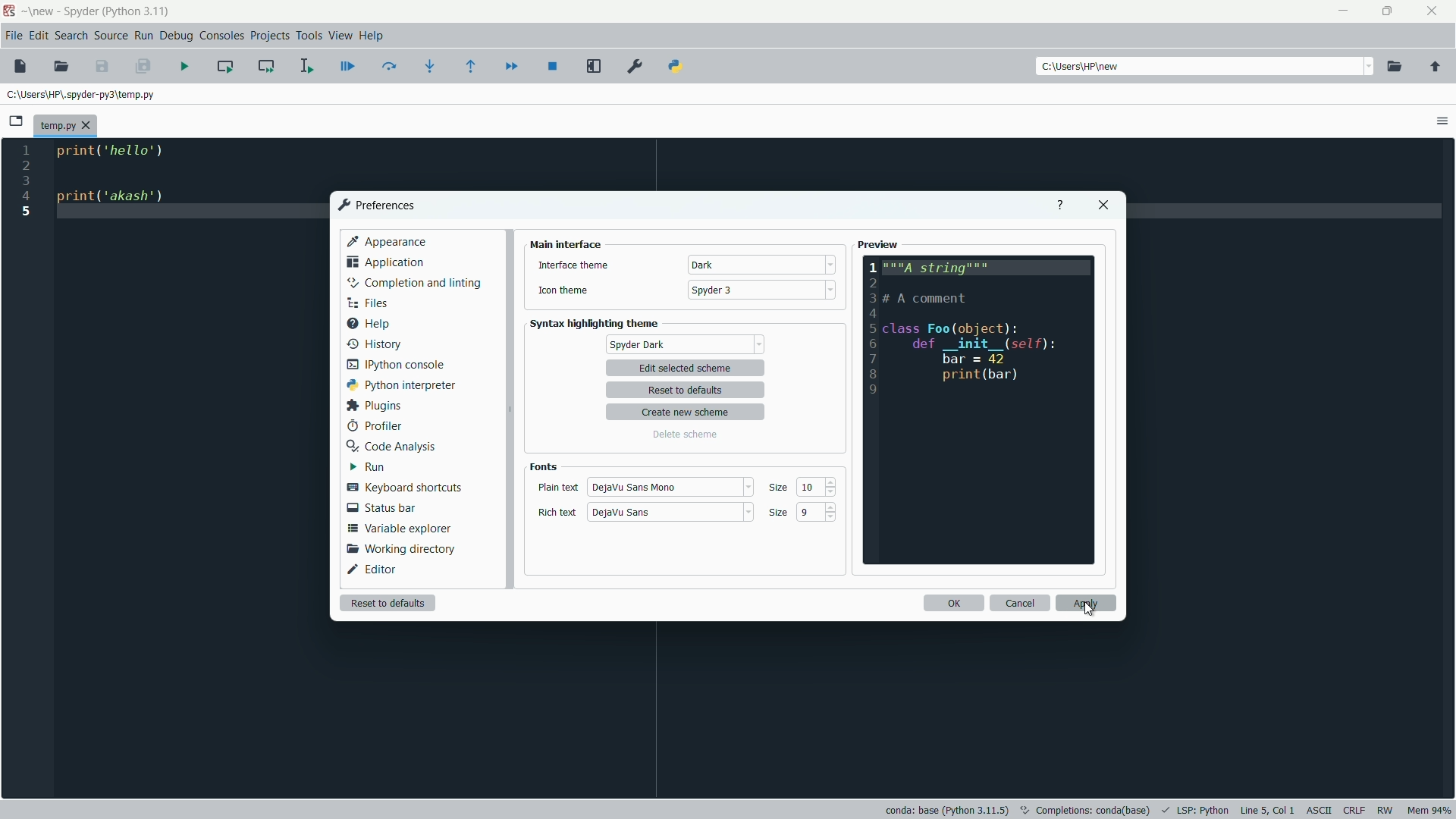 The width and height of the screenshot is (1456, 819). I want to click on editor, so click(374, 569).